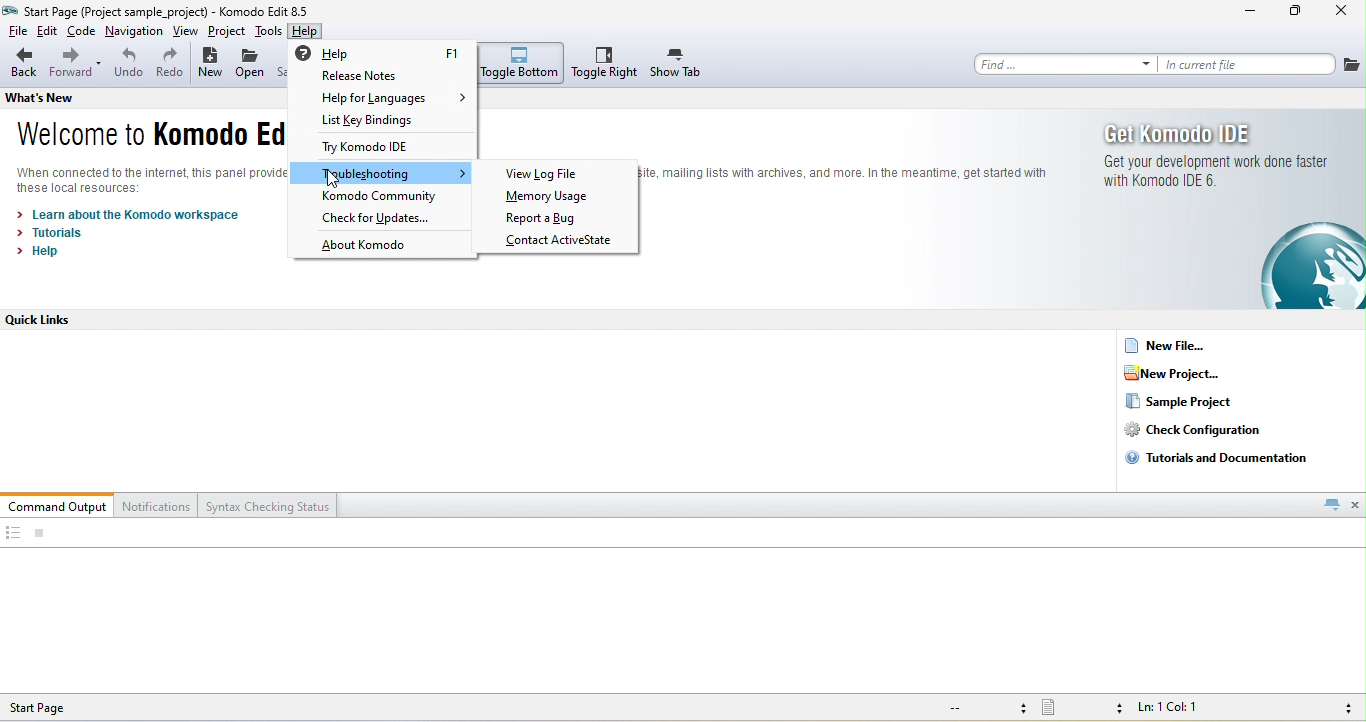 Image resolution: width=1366 pixels, height=722 pixels. I want to click on ln 1, col 1, so click(1173, 709).